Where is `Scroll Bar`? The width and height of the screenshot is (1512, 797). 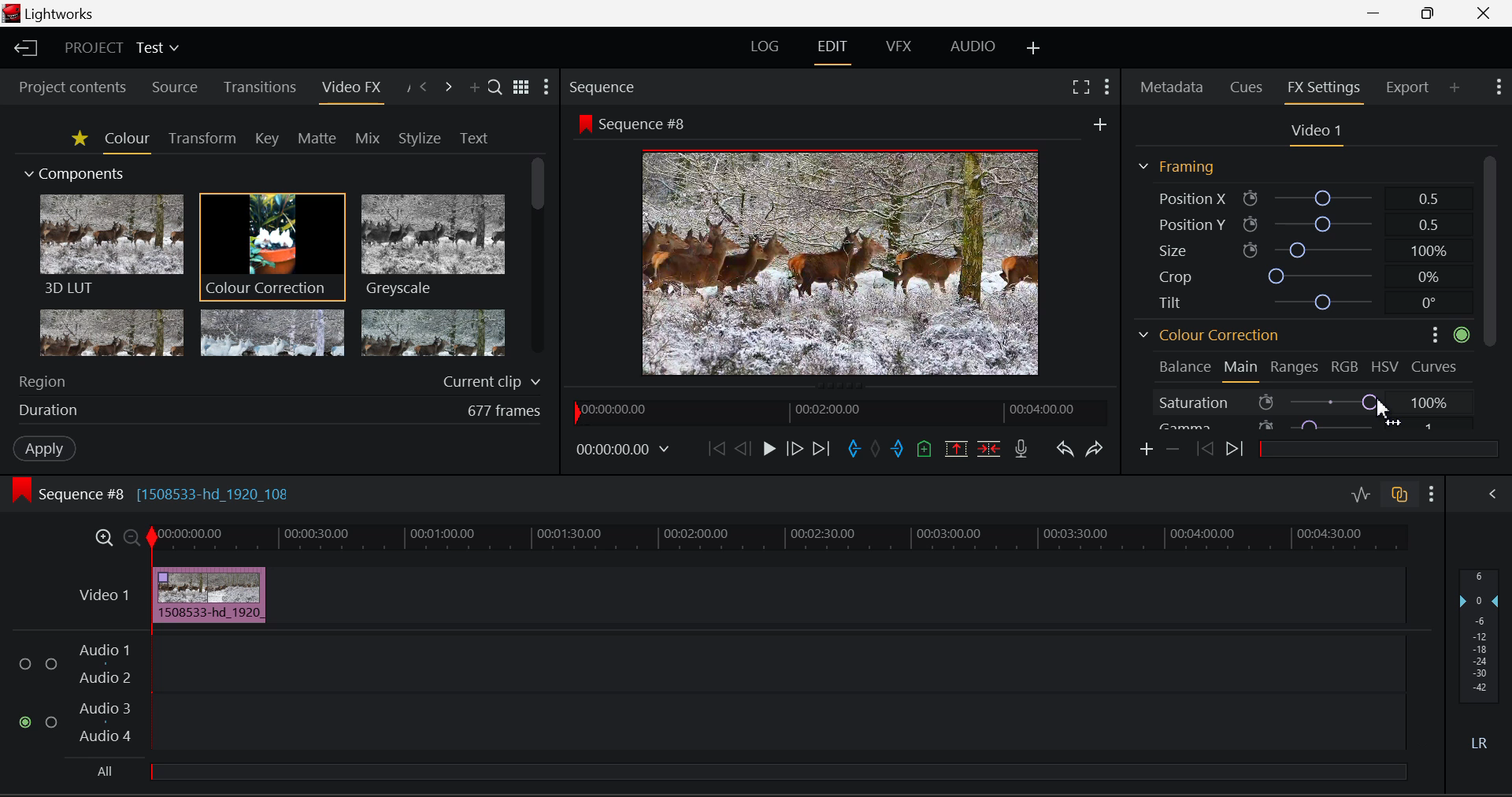
Scroll Bar is located at coordinates (1492, 290).